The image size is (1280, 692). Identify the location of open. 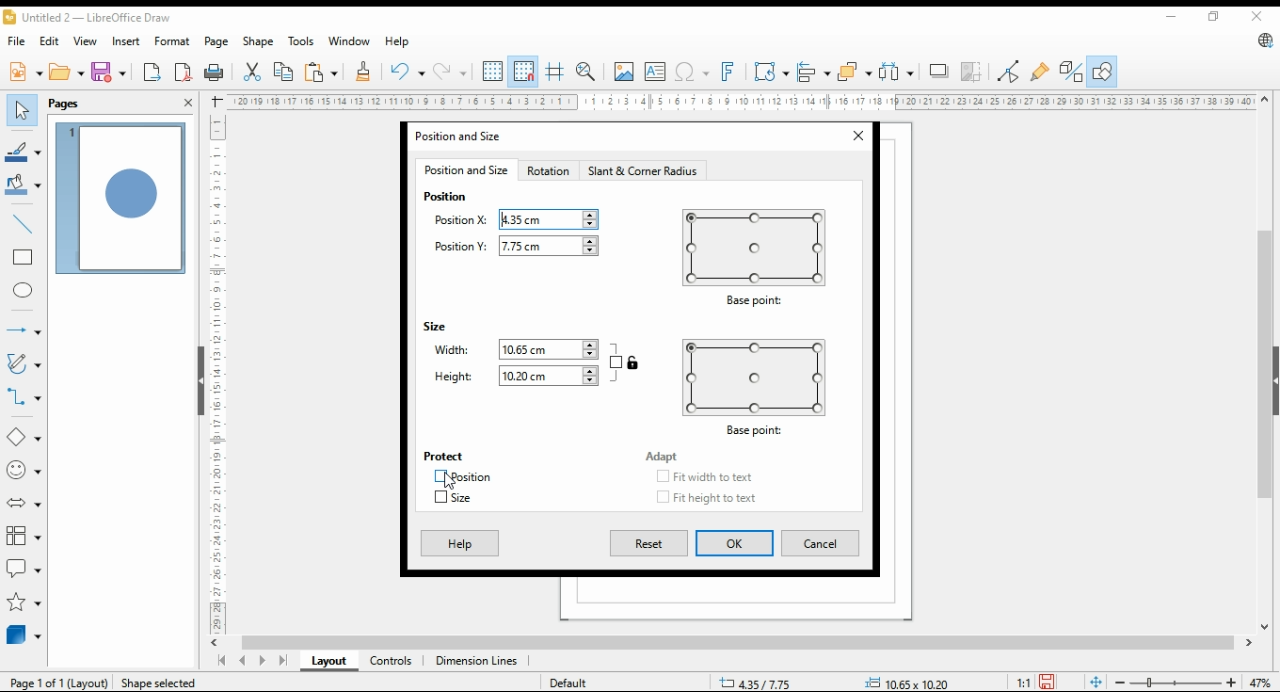
(66, 71).